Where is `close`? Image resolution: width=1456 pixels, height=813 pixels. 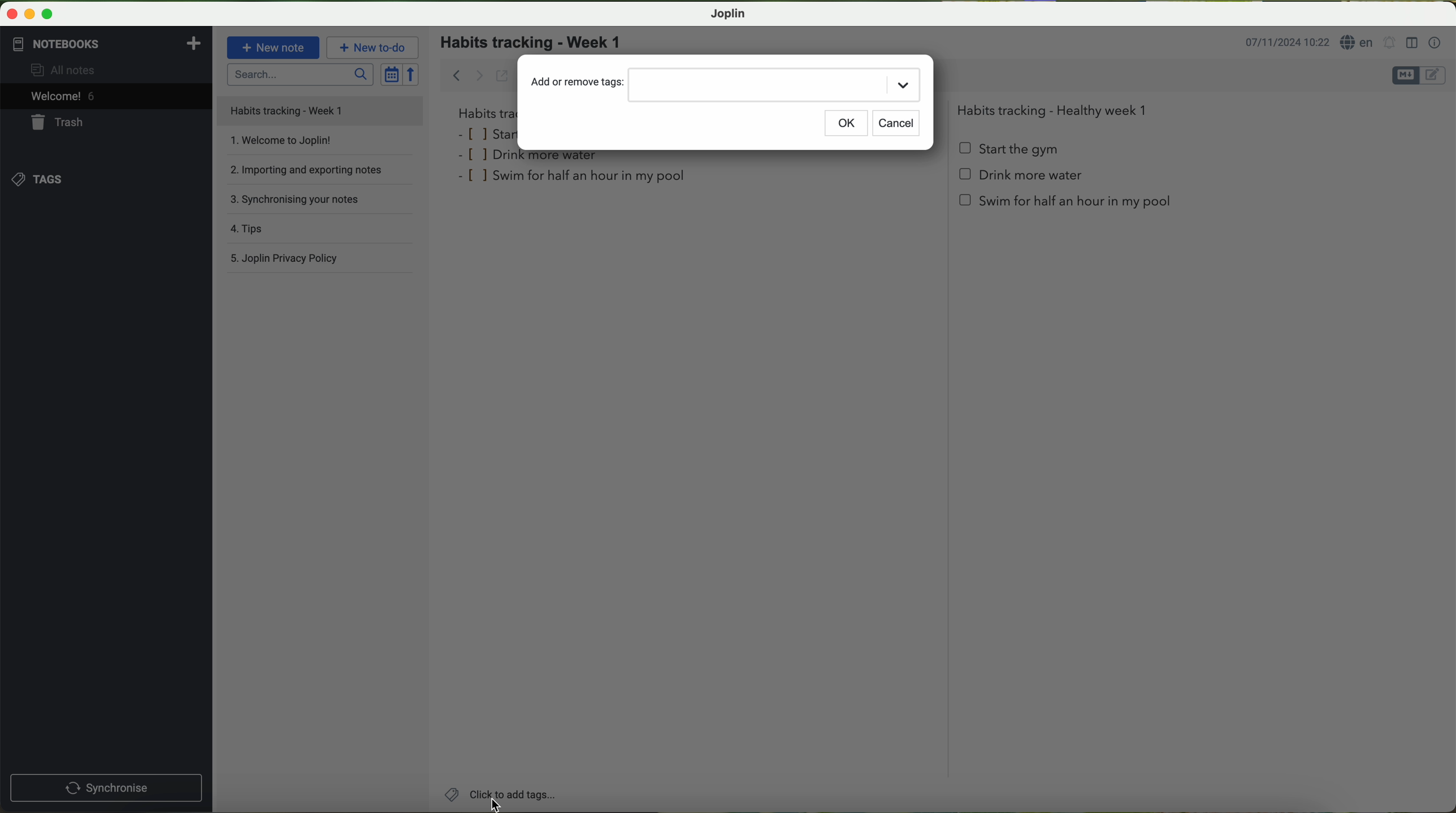 close is located at coordinates (9, 12).